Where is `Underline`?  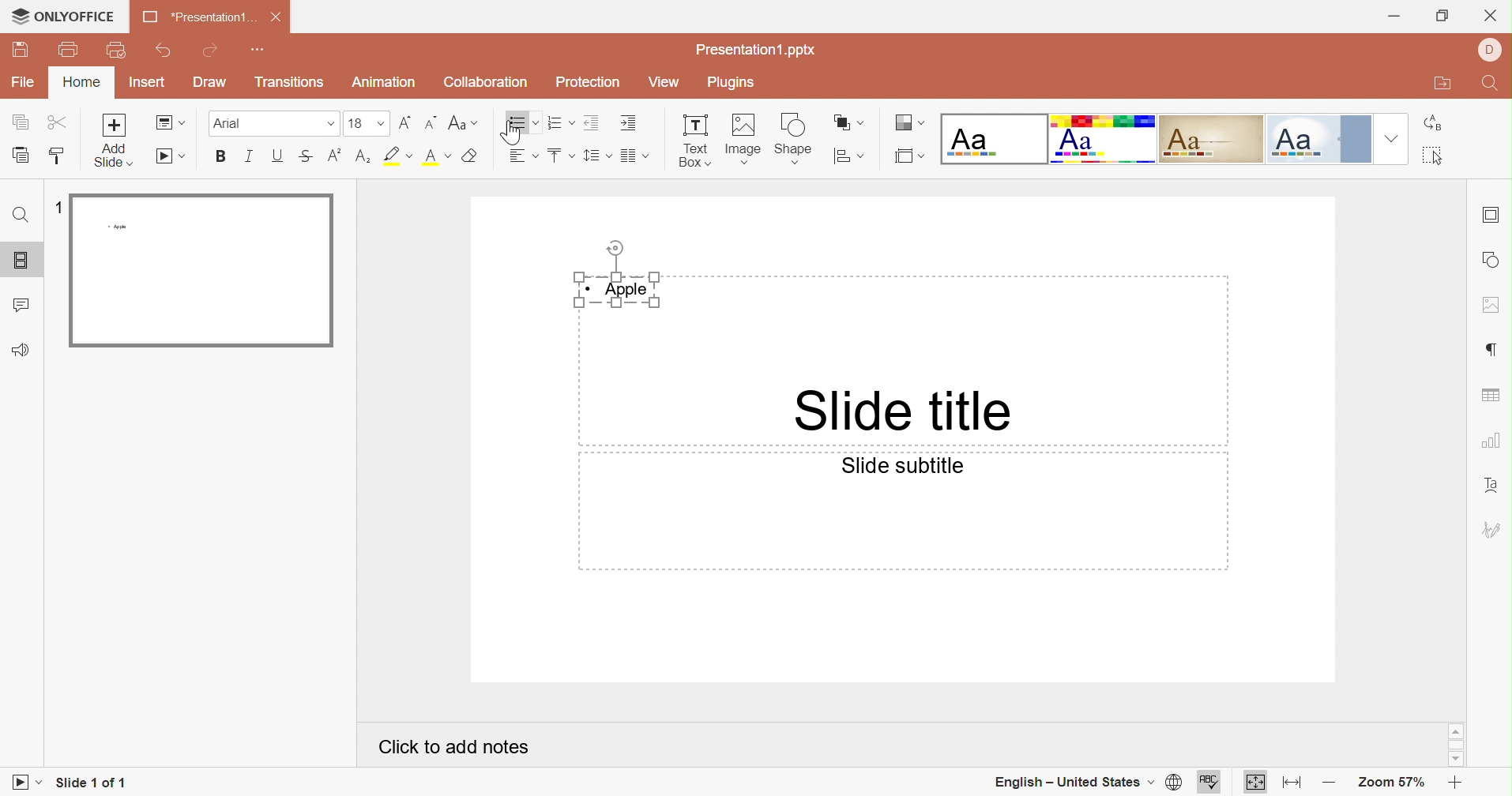
Underline is located at coordinates (278, 157).